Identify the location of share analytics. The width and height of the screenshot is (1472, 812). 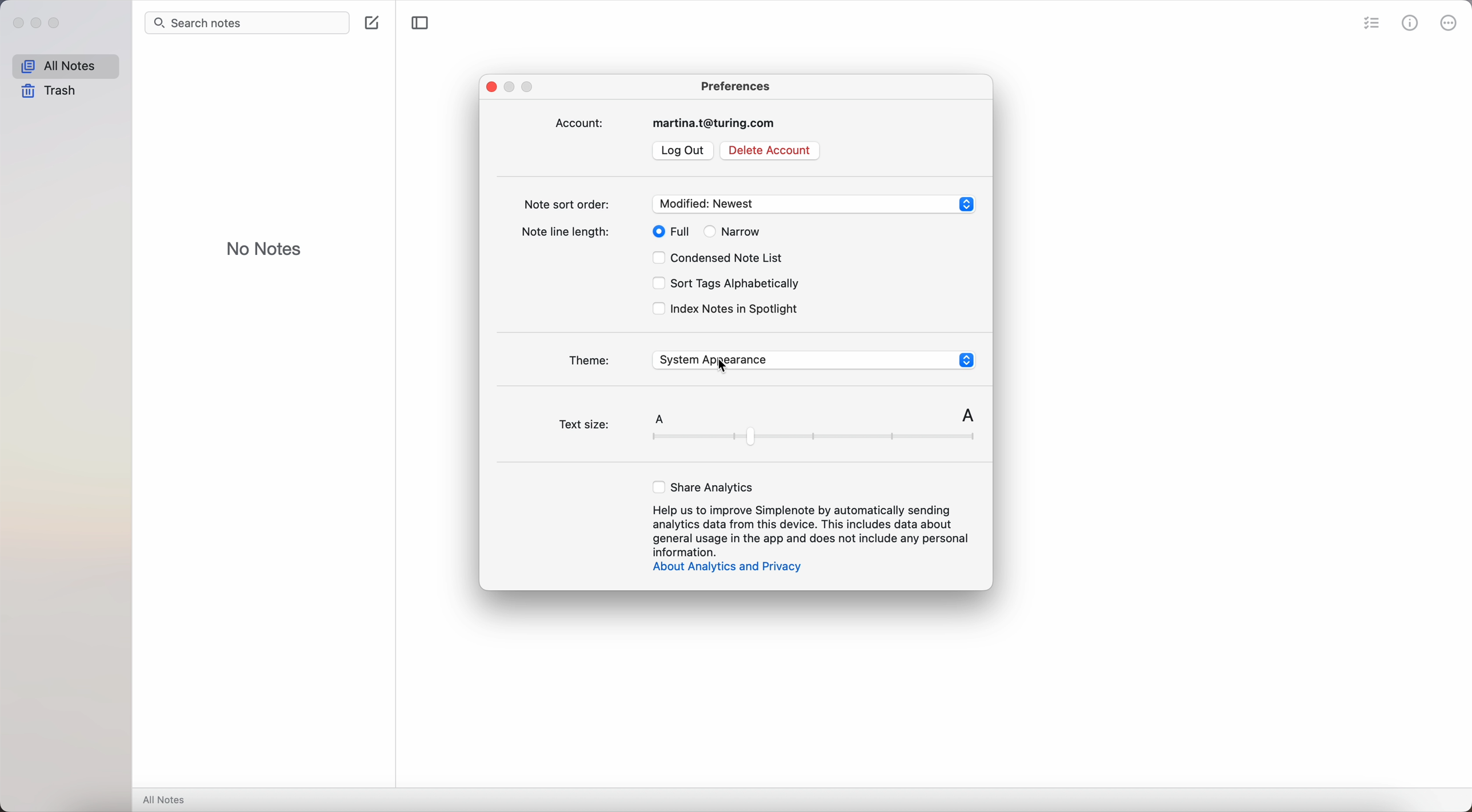
(705, 486).